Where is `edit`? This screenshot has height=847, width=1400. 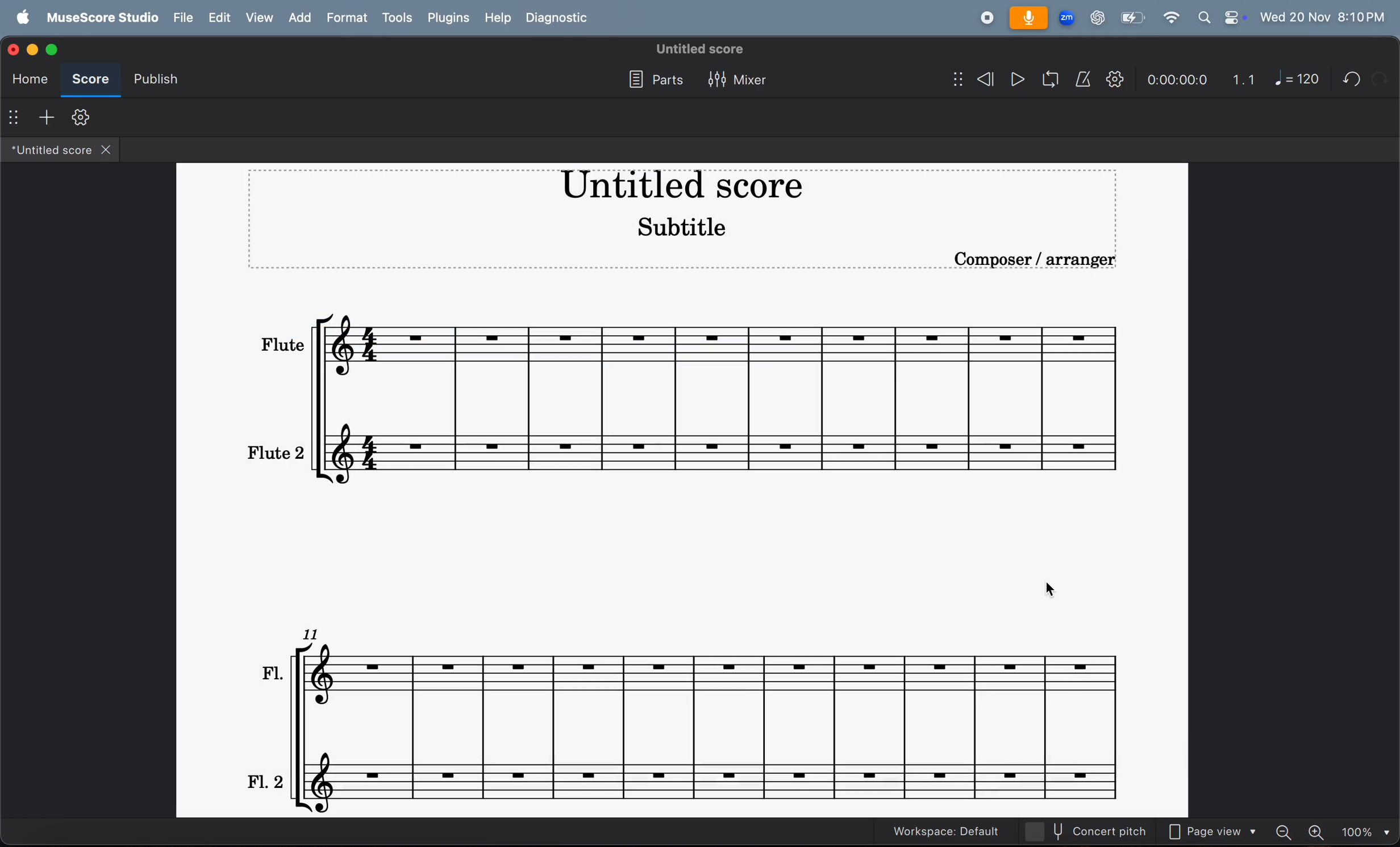
edit is located at coordinates (221, 18).